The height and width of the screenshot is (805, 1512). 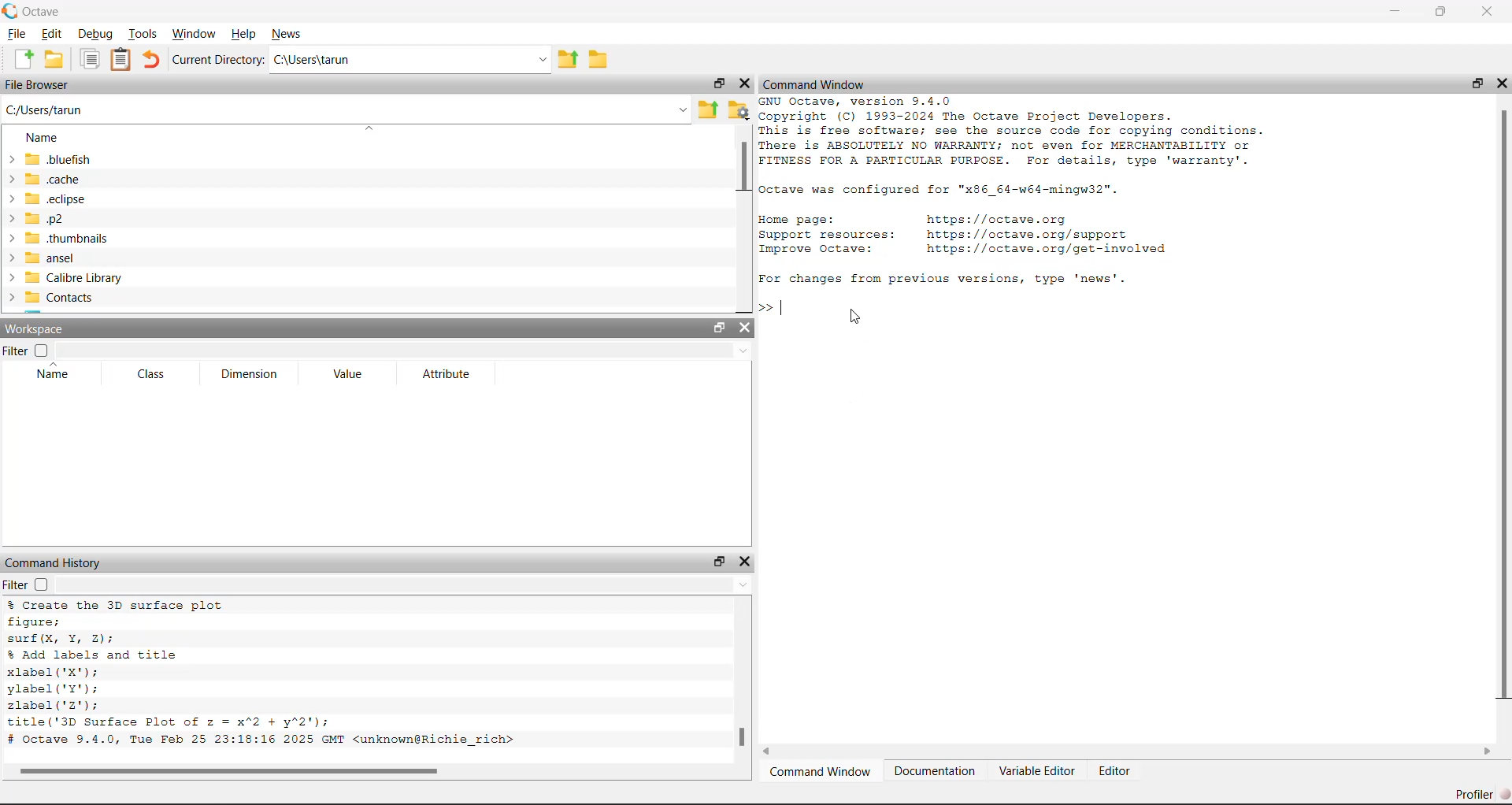 I want to click on xlabel ('X");, so click(x=52, y=672).